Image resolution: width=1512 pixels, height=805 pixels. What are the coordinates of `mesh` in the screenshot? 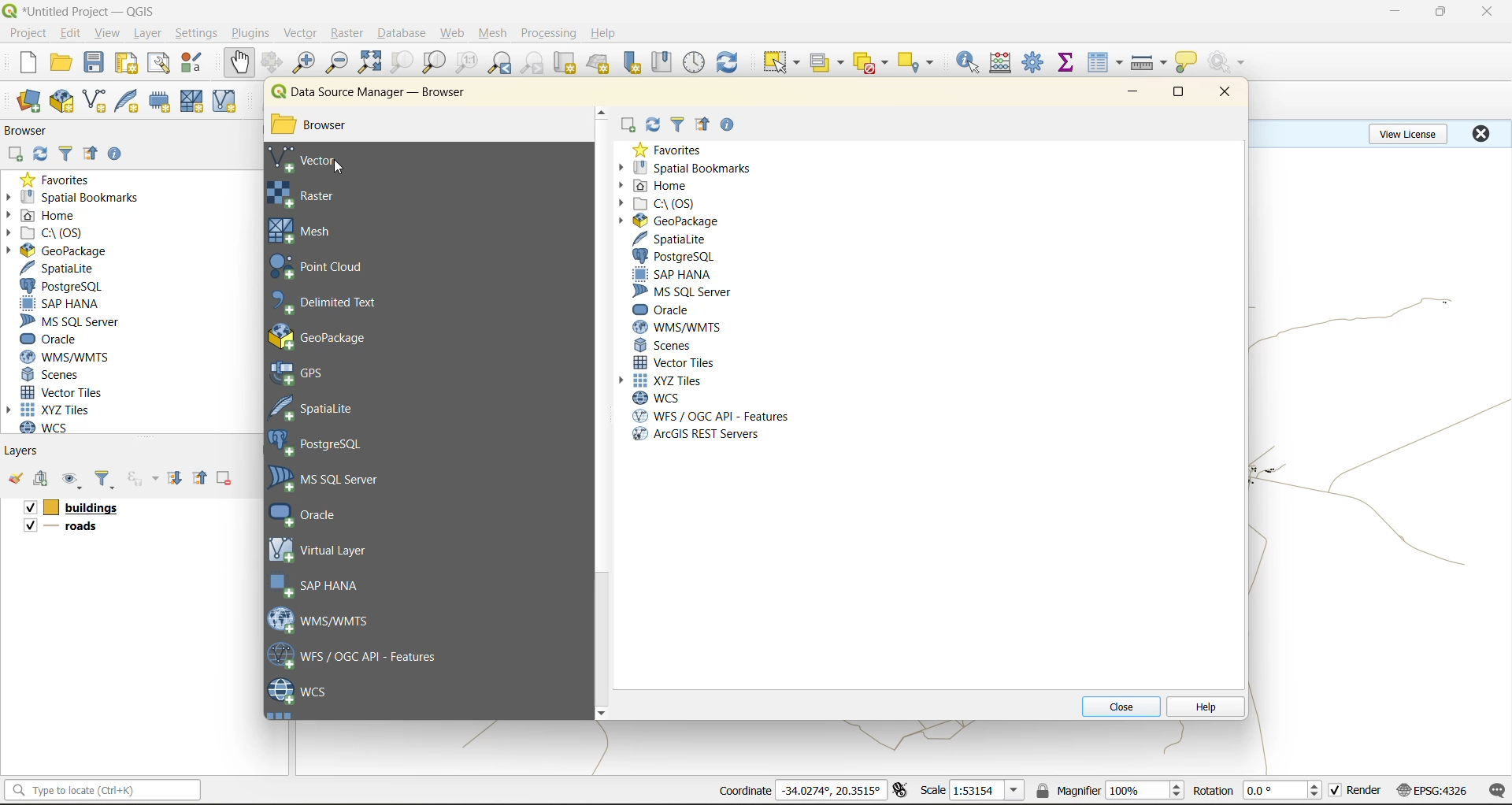 It's located at (495, 35).